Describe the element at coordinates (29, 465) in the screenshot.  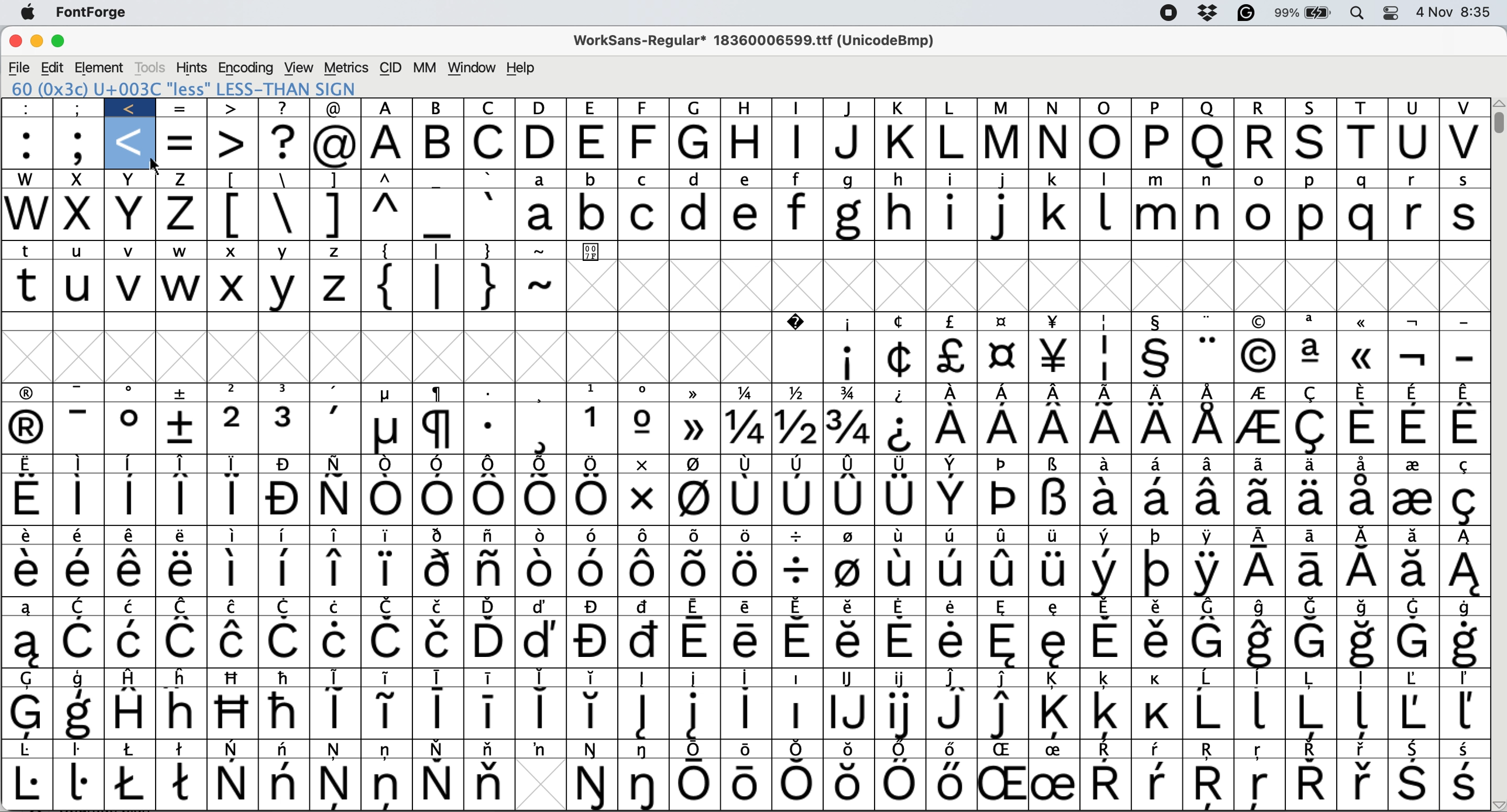
I see `Symbol` at that location.